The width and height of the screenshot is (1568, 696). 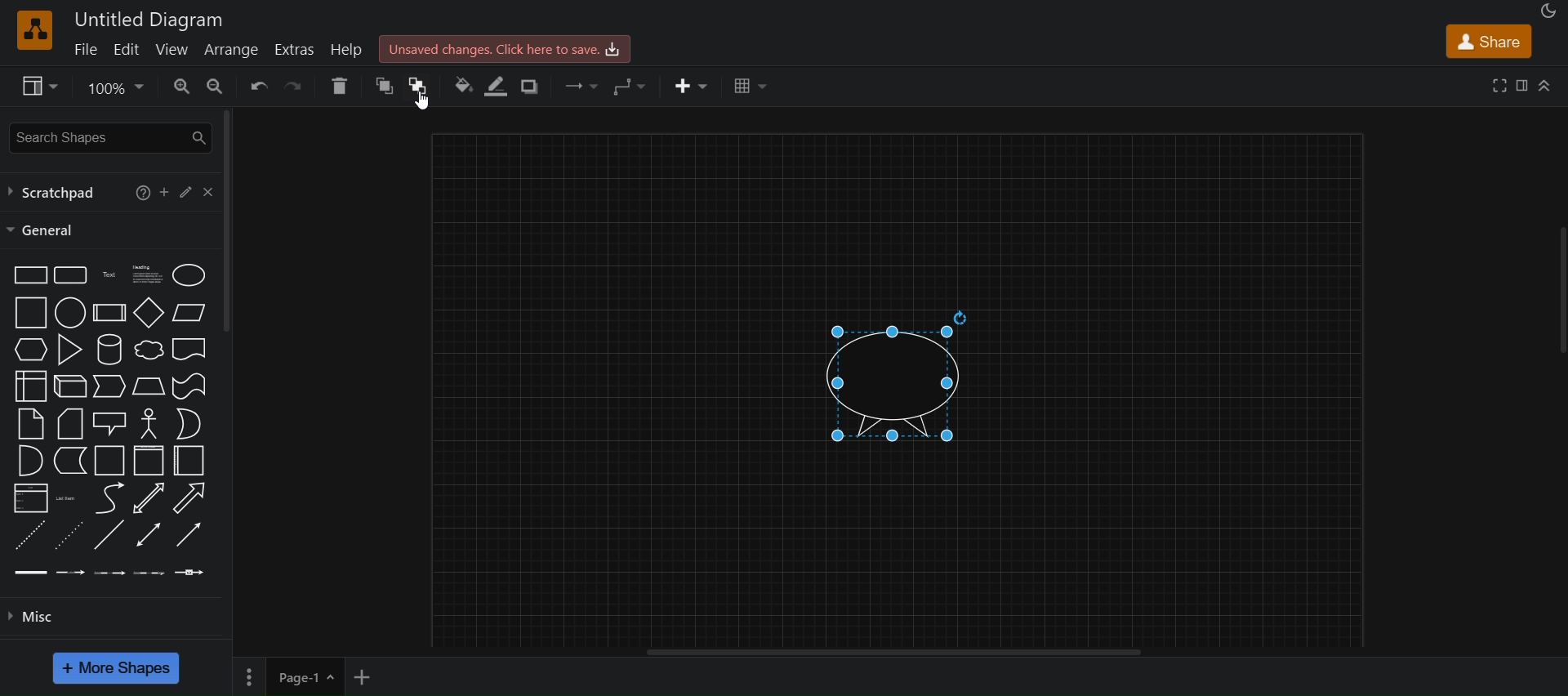 I want to click on link, so click(x=28, y=572).